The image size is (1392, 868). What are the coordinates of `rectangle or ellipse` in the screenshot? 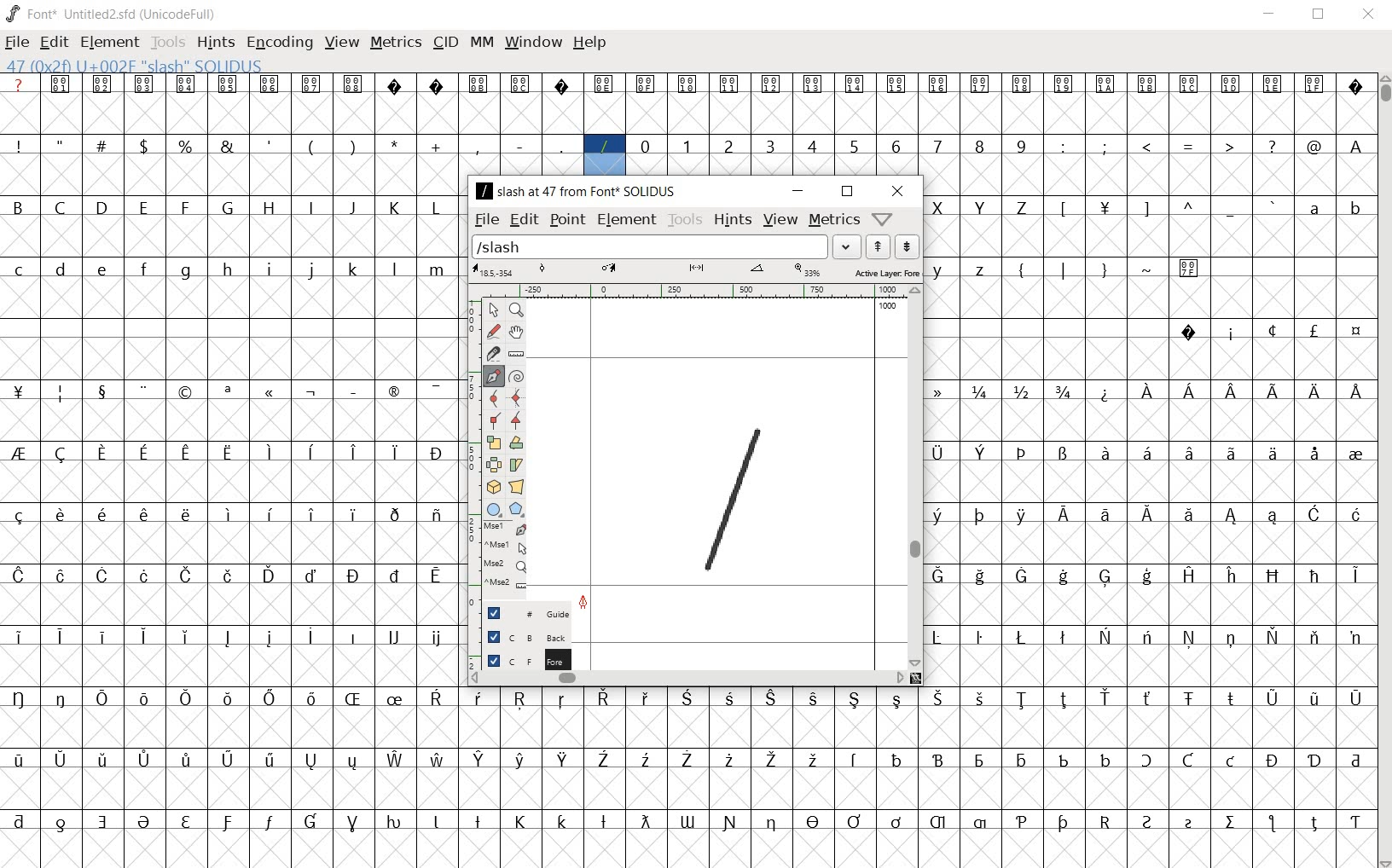 It's located at (493, 511).